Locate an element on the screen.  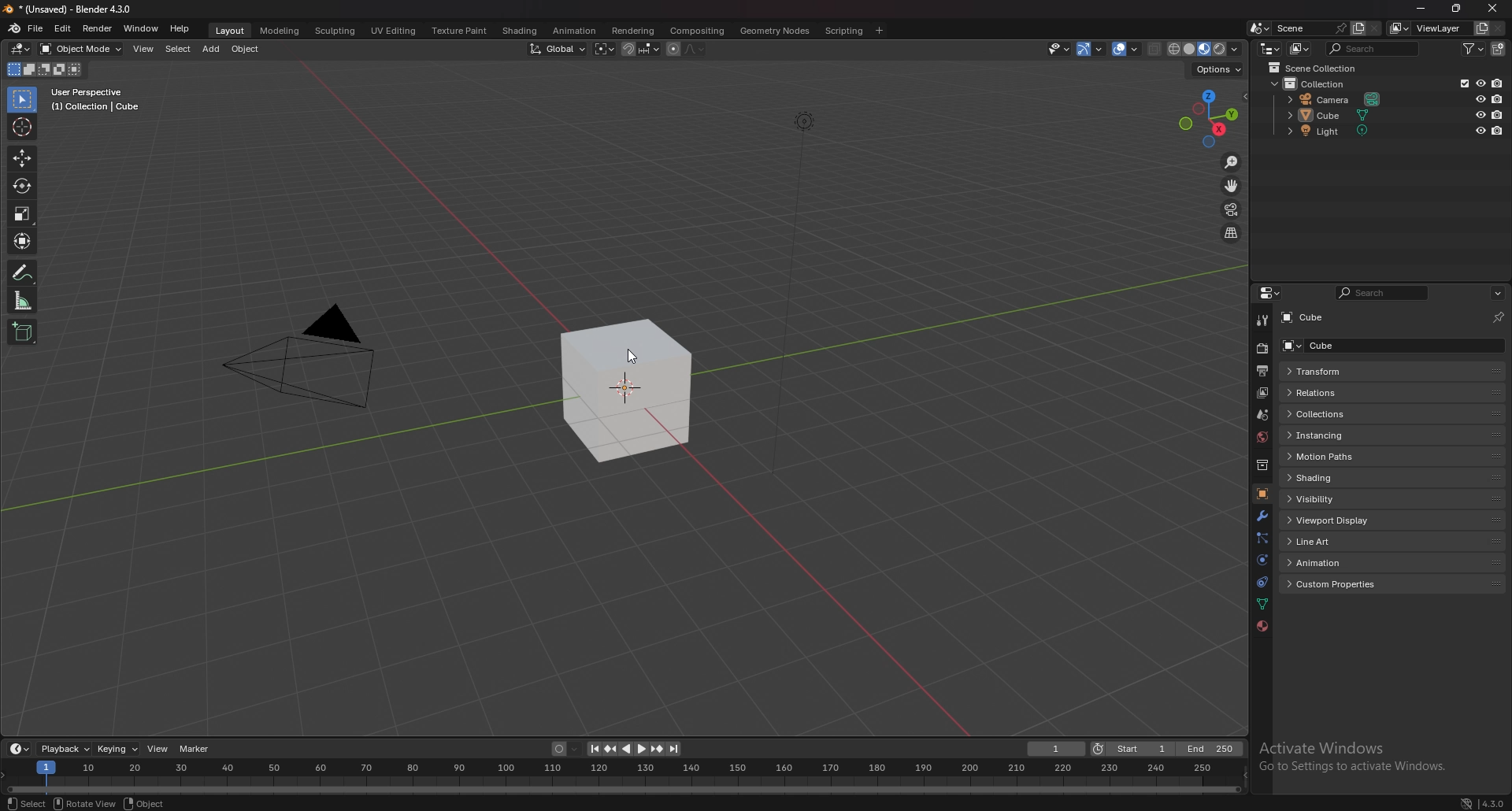
custom properties is located at coordinates (1338, 584).